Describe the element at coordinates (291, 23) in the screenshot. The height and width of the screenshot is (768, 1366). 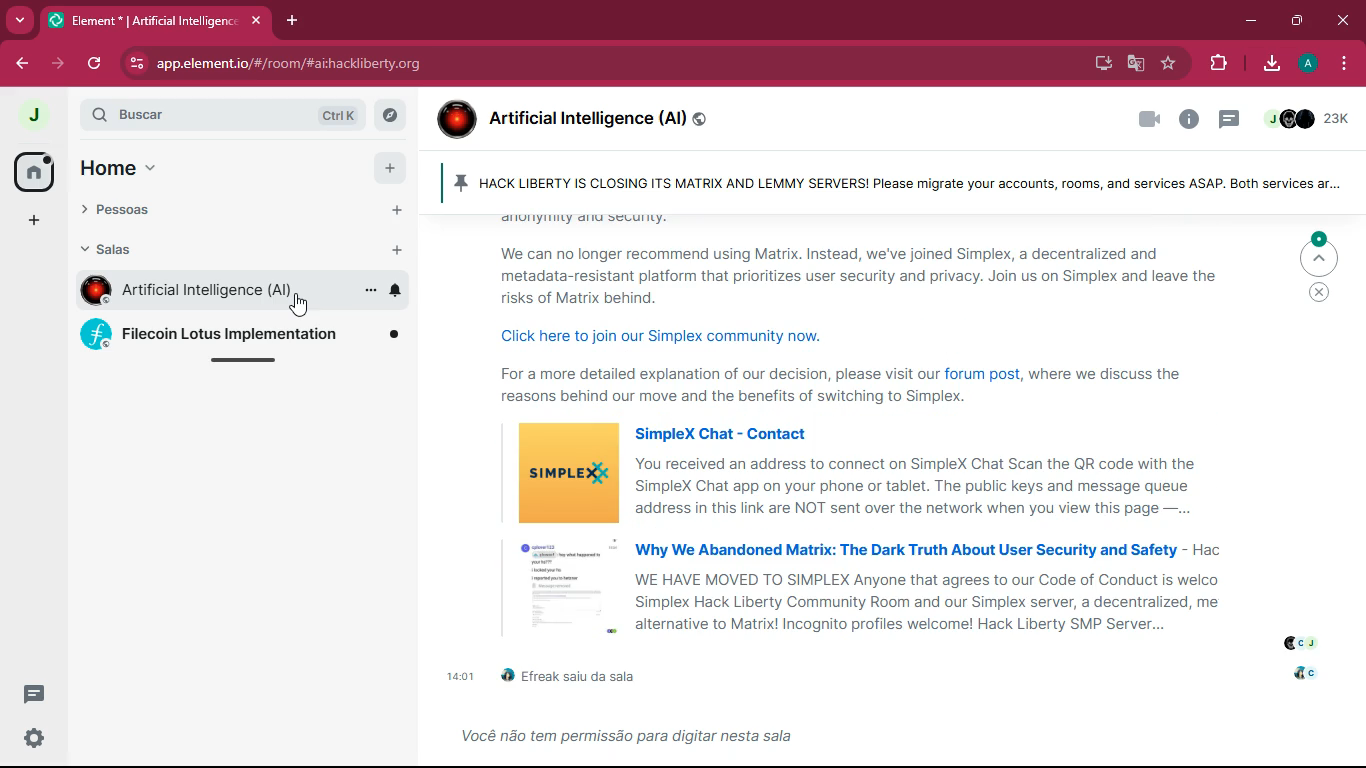
I see `add tab` at that location.